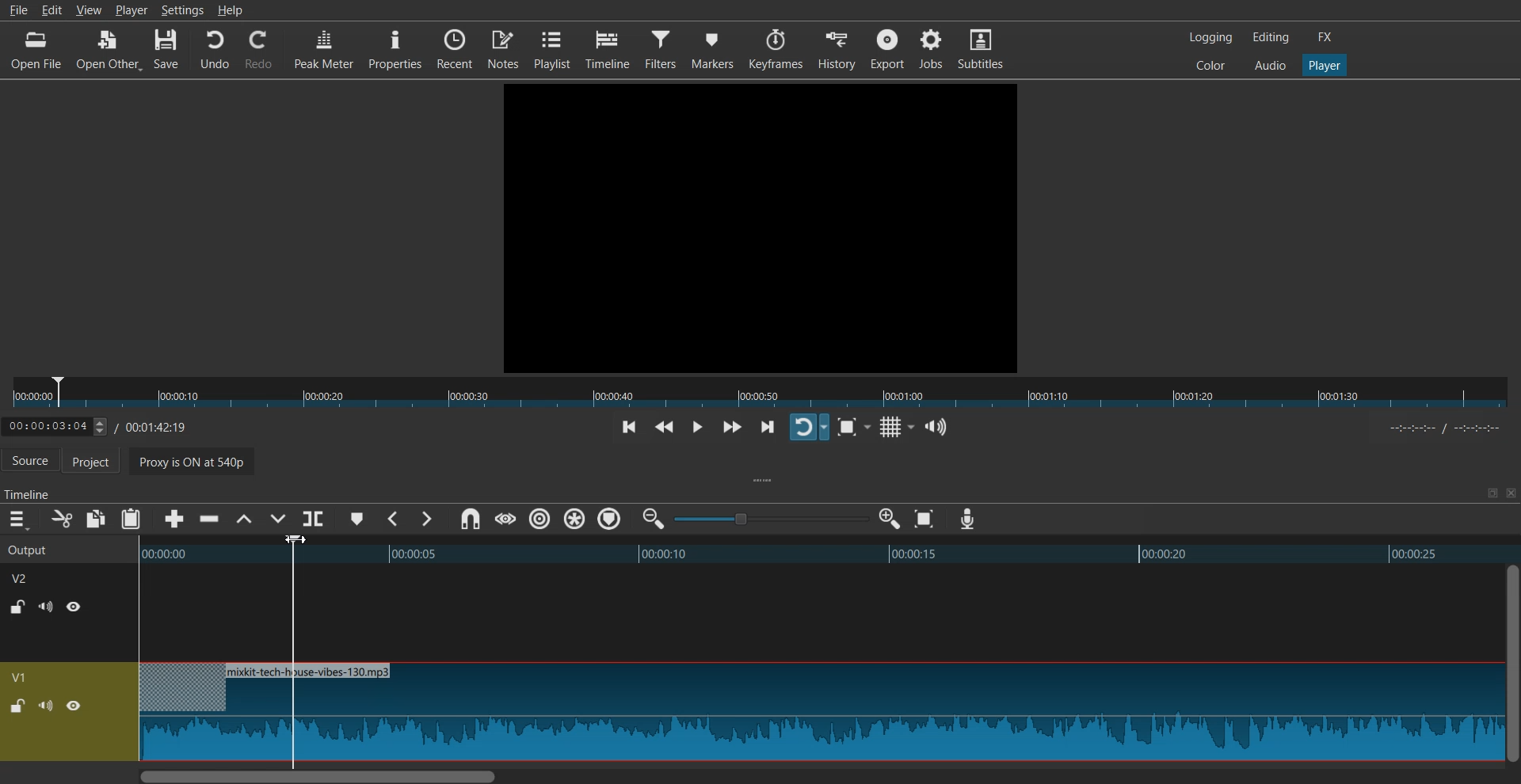 This screenshot has height=784, width=1521. Describe the element at coordinates (713, 48) in the screenshot. I see `Markers` at that location.